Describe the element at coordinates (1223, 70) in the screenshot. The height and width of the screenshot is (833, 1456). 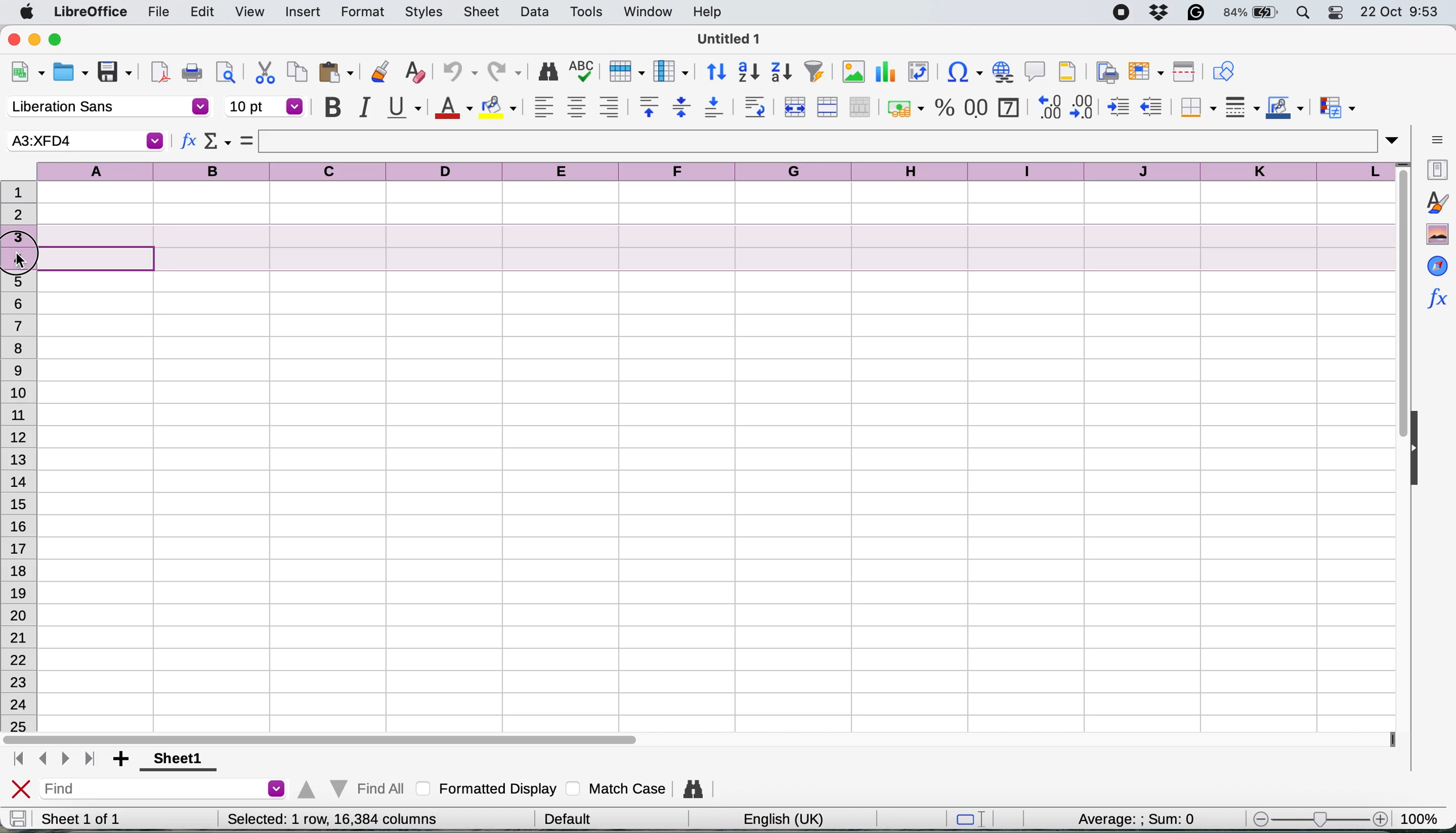
I see `show draw functions` at that location.